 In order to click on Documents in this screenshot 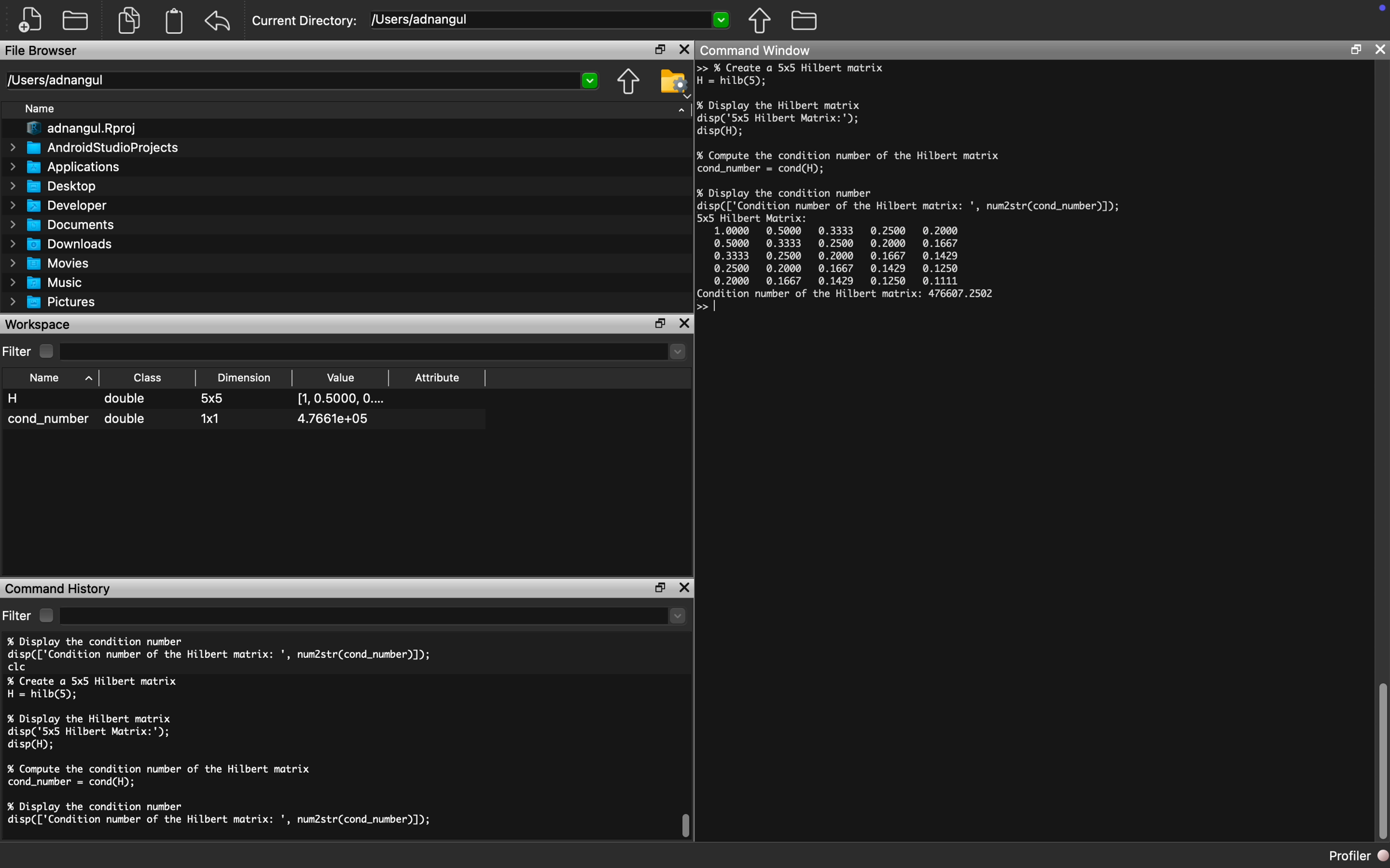, I will do `click(63, 225)`.